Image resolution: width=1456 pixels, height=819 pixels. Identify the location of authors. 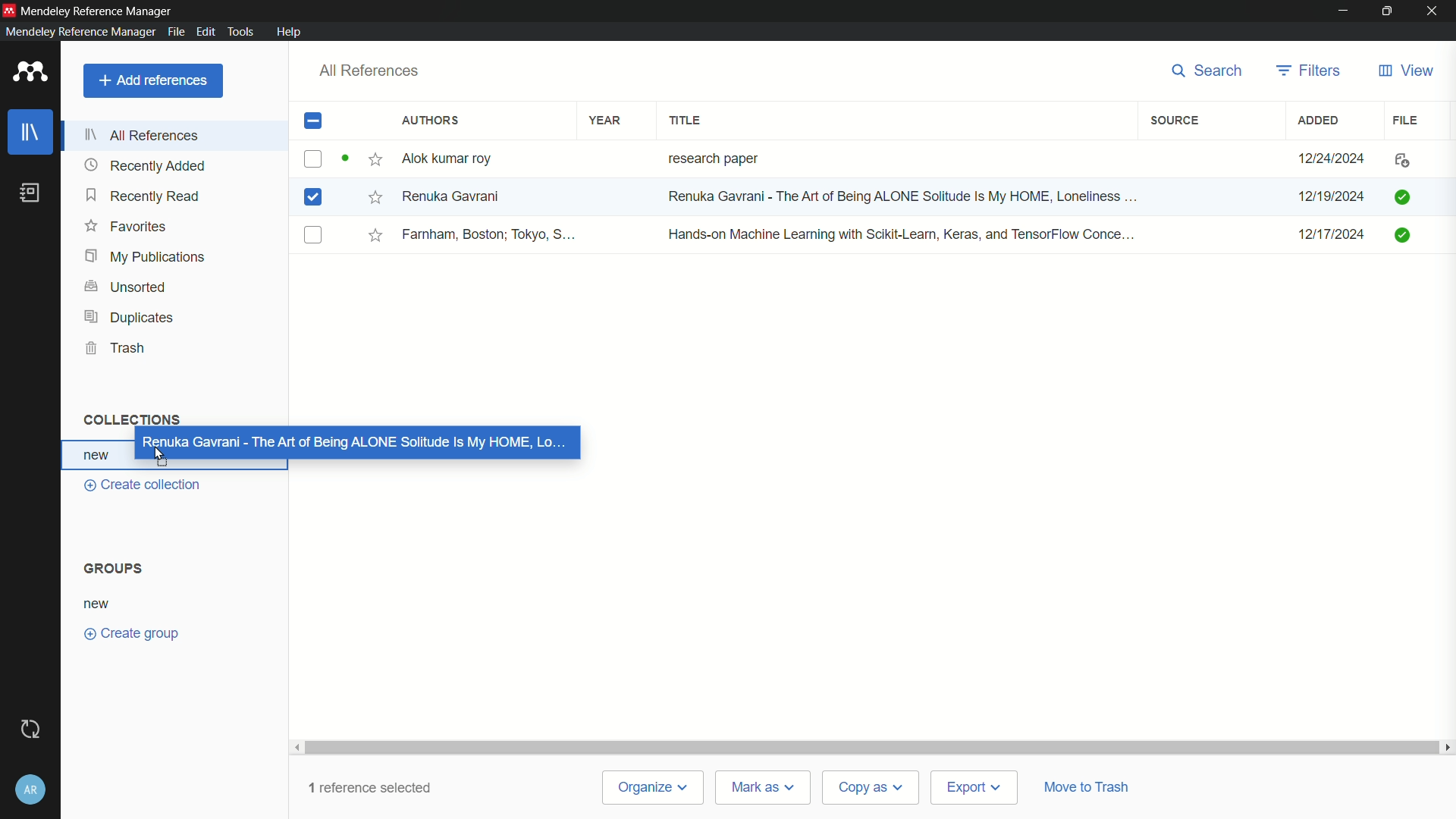
(434, 121).